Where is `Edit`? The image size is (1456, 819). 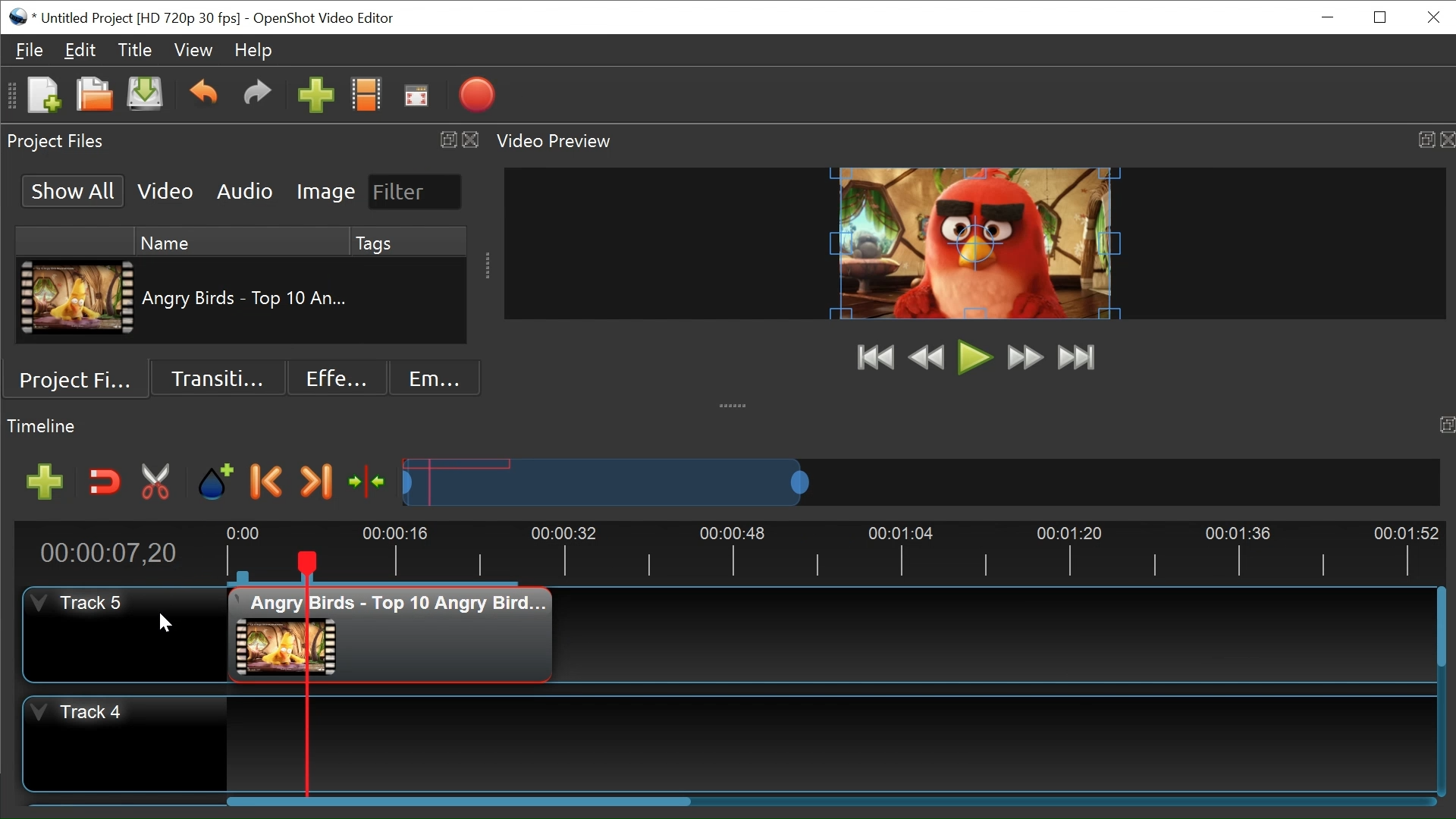
Edit is located at coordinates (80, 49).